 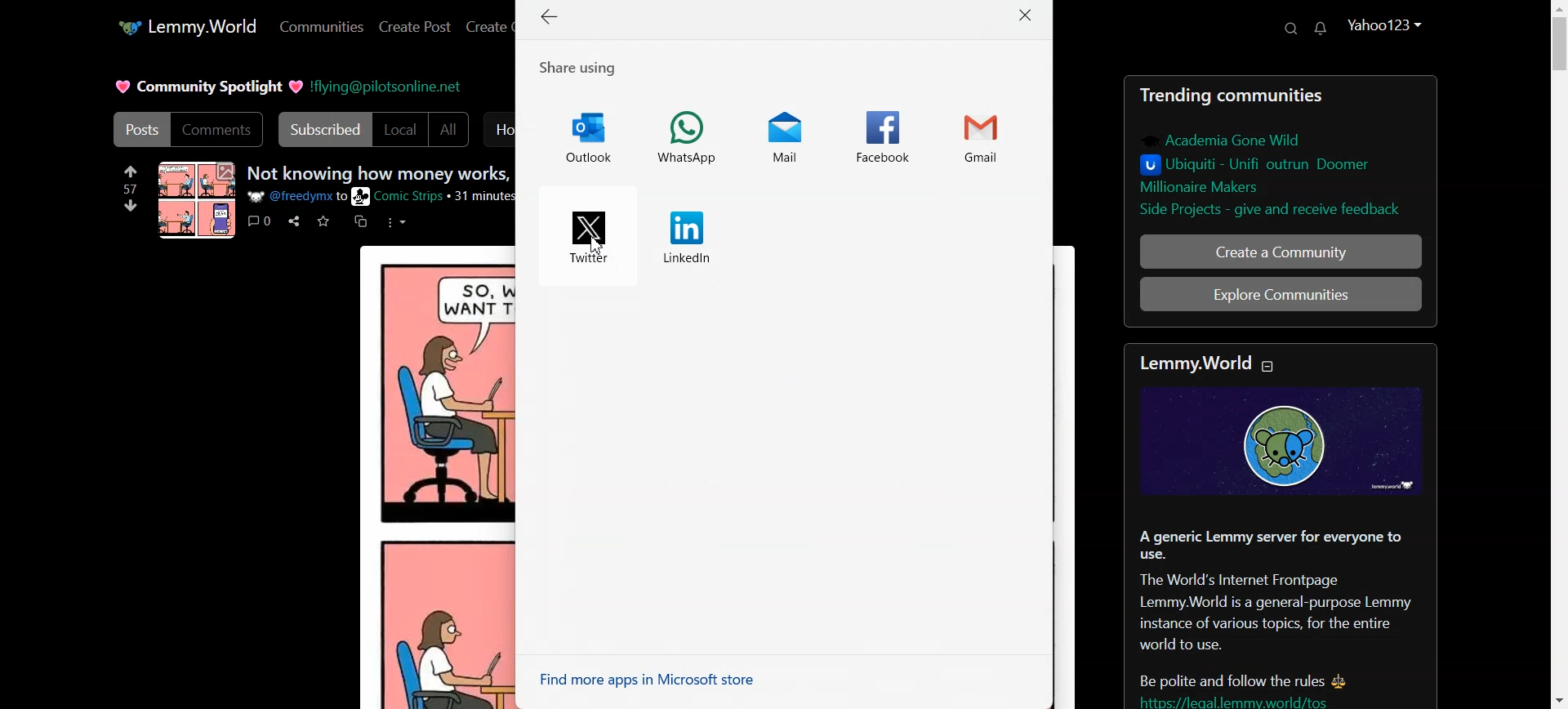 What do you see at coordinates (138, 129) in the screenshot?
I see `Posts` at bounding box center [138, 129].